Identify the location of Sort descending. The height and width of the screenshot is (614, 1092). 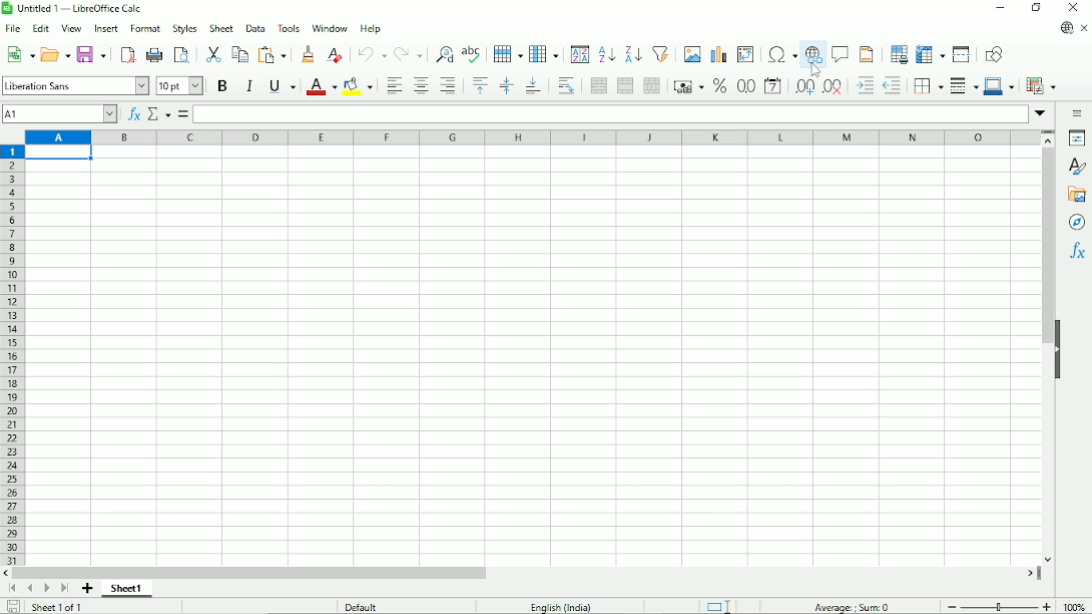
(631, 54).